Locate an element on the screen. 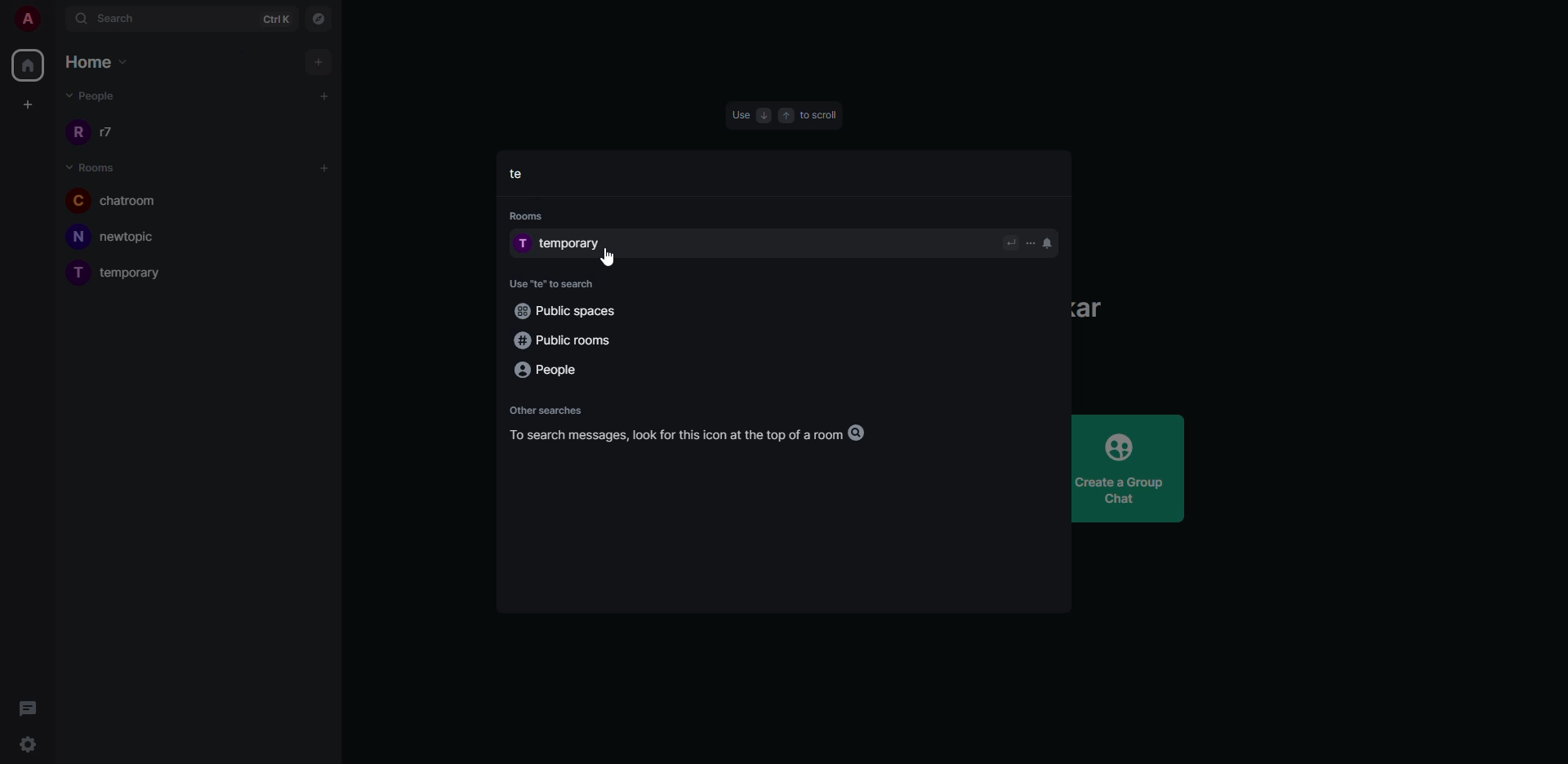  more is located at coordinates (1031, 242).